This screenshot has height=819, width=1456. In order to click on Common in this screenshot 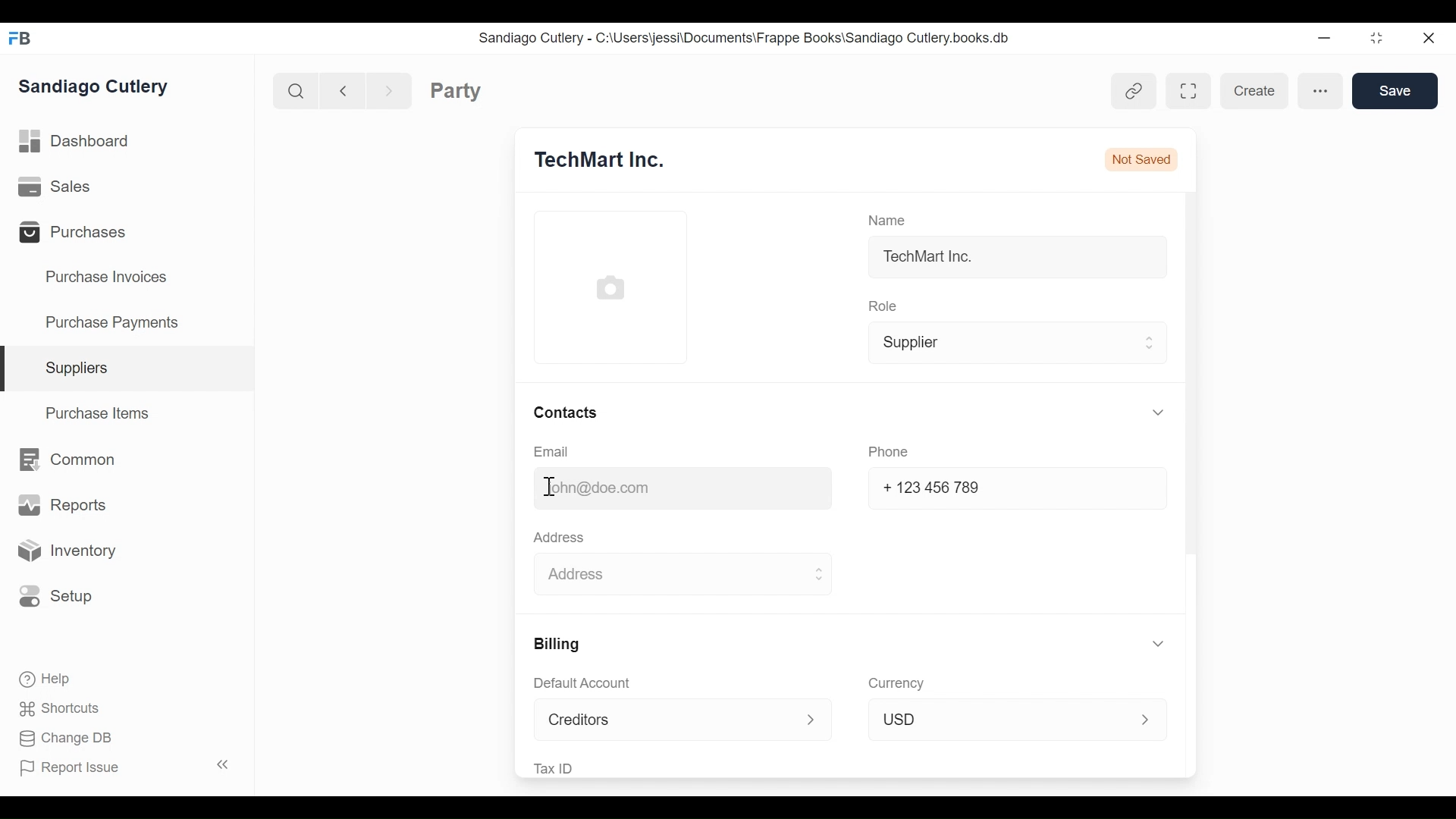, I will do `click(77, 462)`.